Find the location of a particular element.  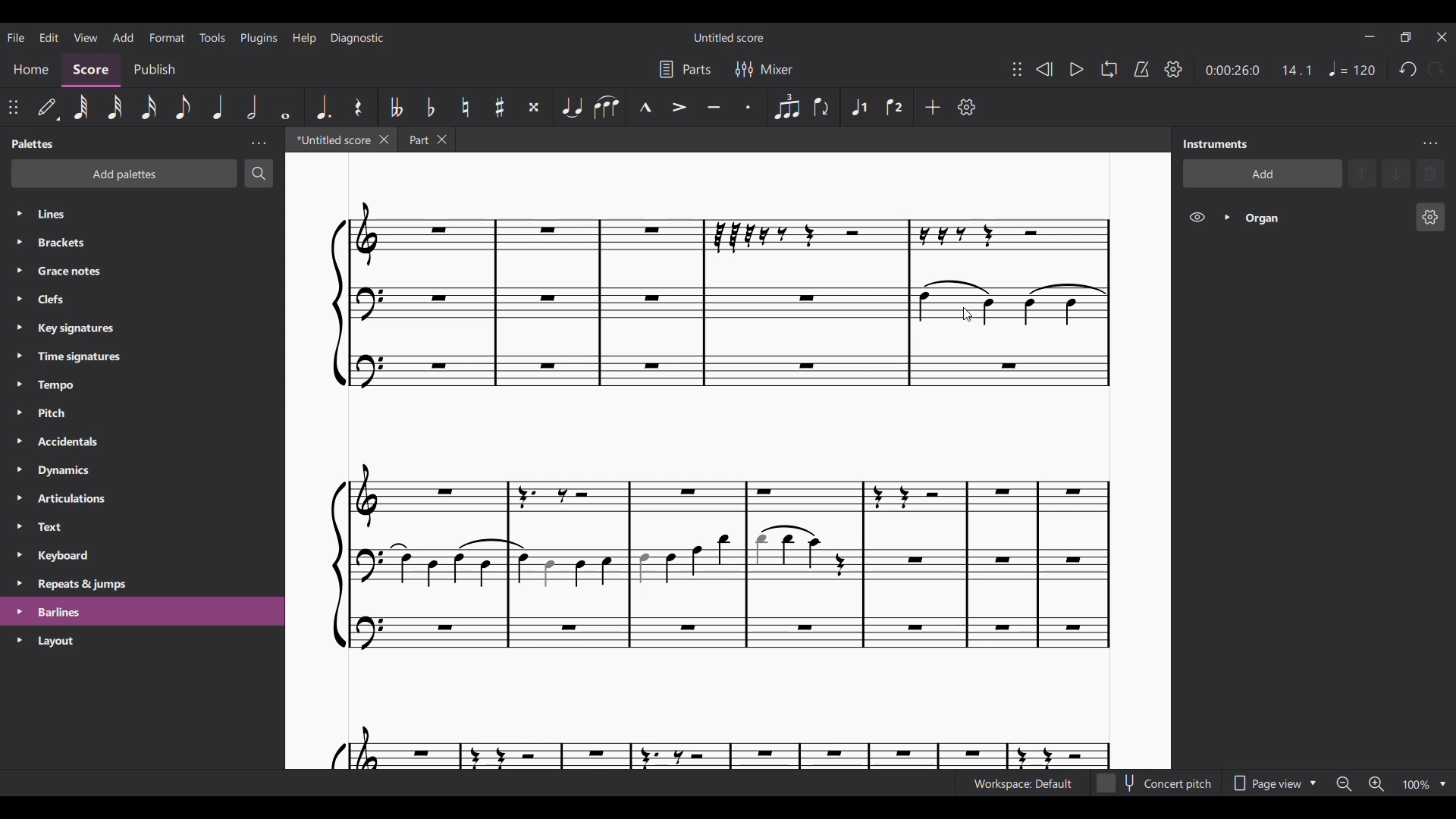

Change position of attached toolbar is located at coordinates (14, 108).